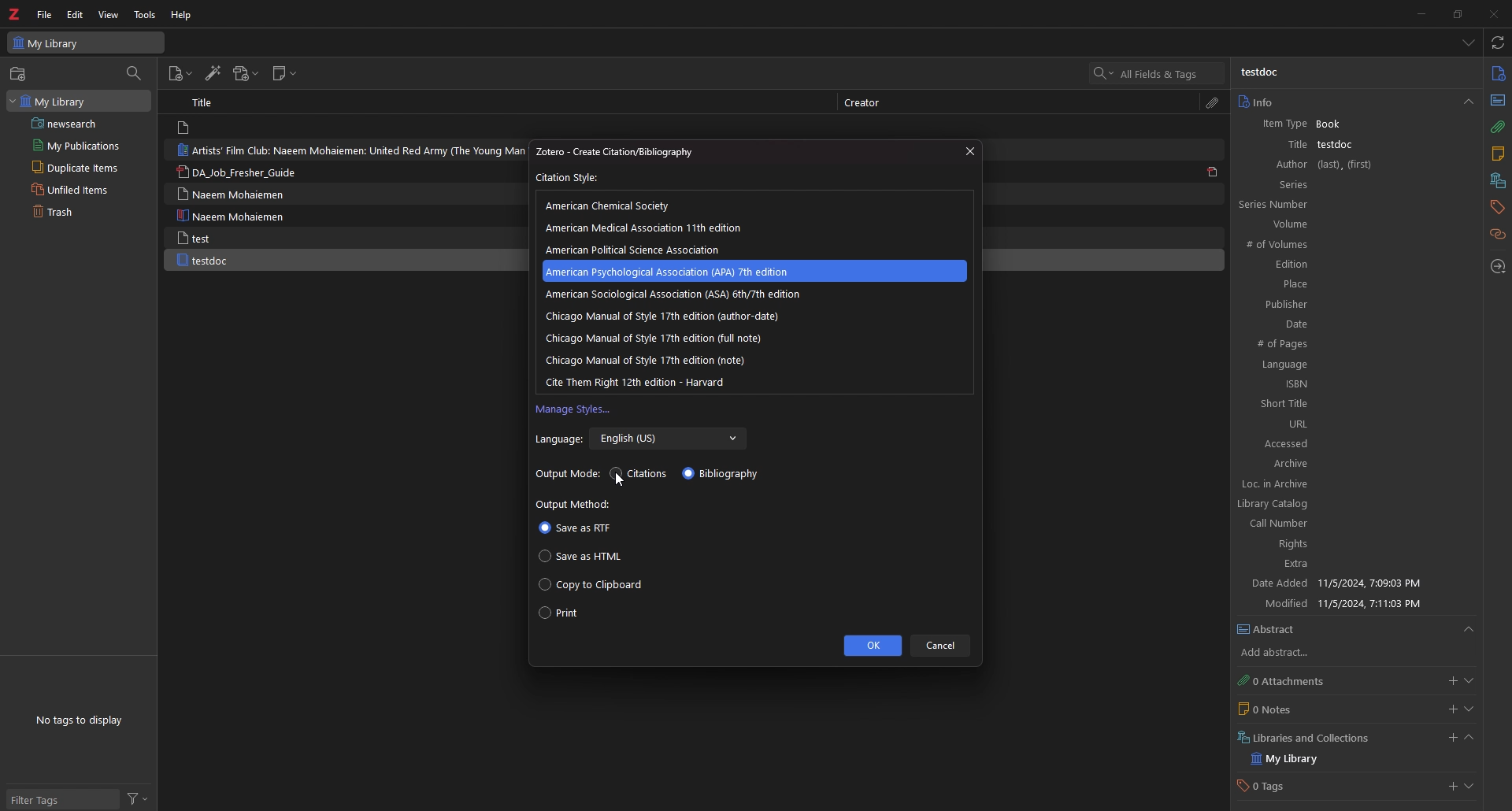 This screenshot has width=1512, height=811. Describe the element at coordinates (631, 152) in the screenshot. I see `Zotero - Create Citation/Bibliography` at that location.